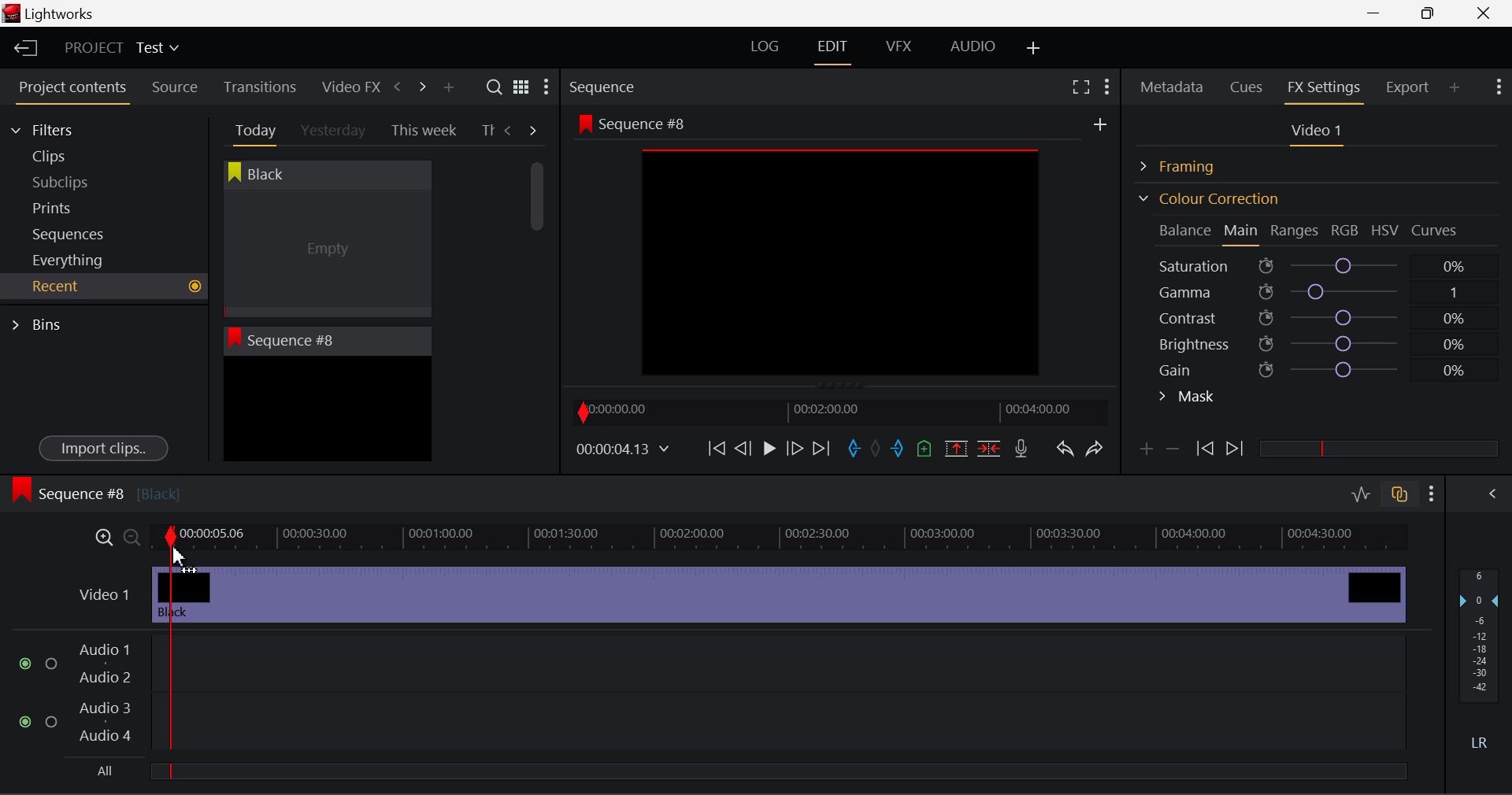 The image size is (1512, 795). What do you see at coordinates (972, 46) in the screenshot?
I see `AUDIO Layout` at bounding box center [972, 46].